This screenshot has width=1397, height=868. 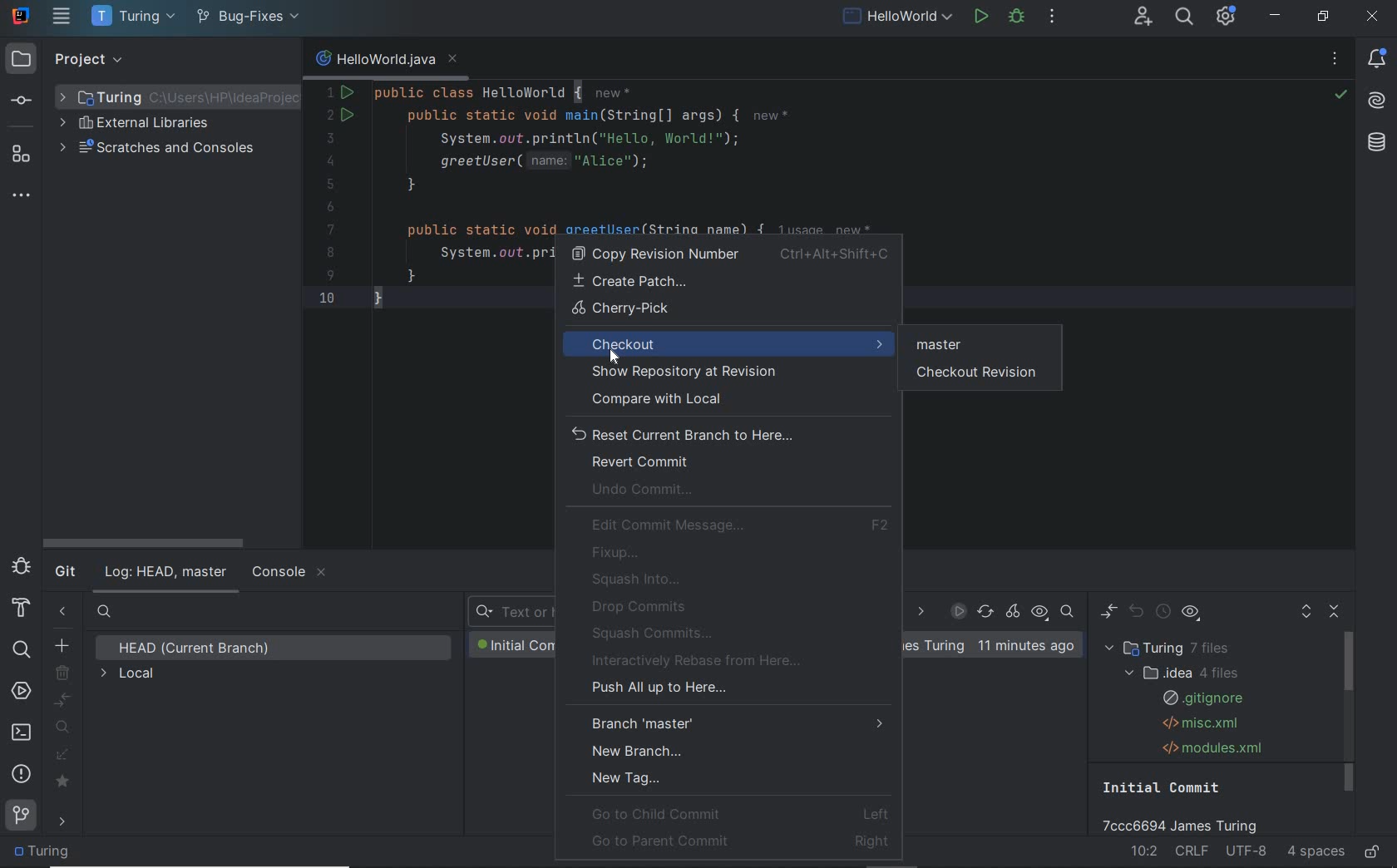 I want to click on squash into, so click(x=639, y=579).